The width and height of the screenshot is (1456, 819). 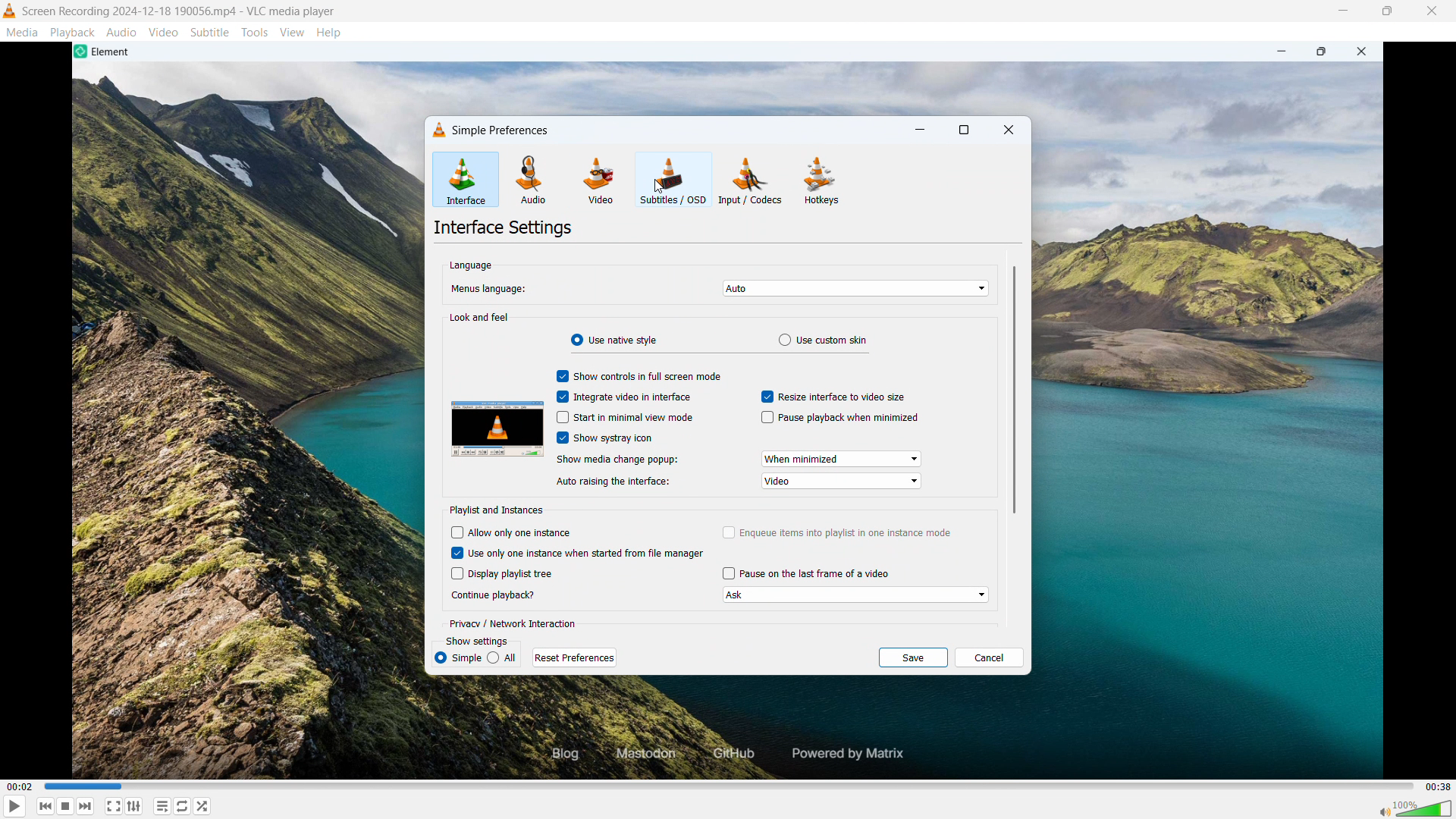 I want to click on Playback , so click(x=73, y=32).